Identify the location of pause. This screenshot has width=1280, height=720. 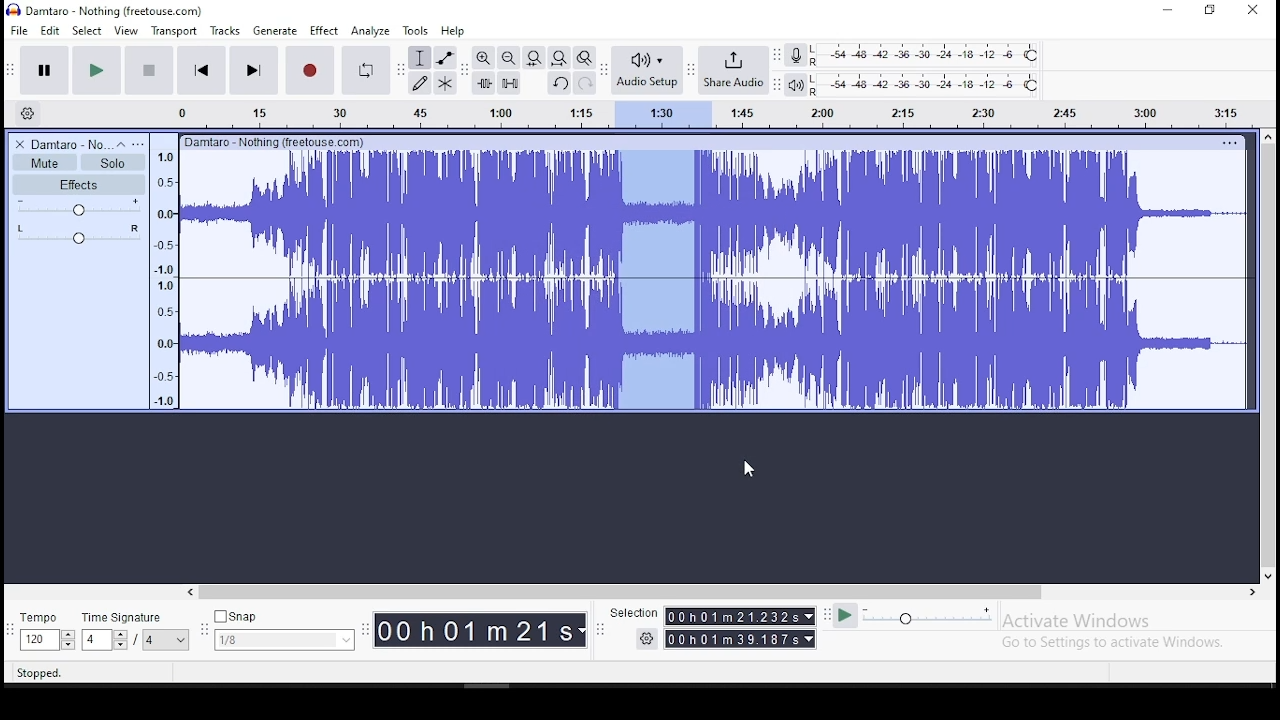
(46, 71).